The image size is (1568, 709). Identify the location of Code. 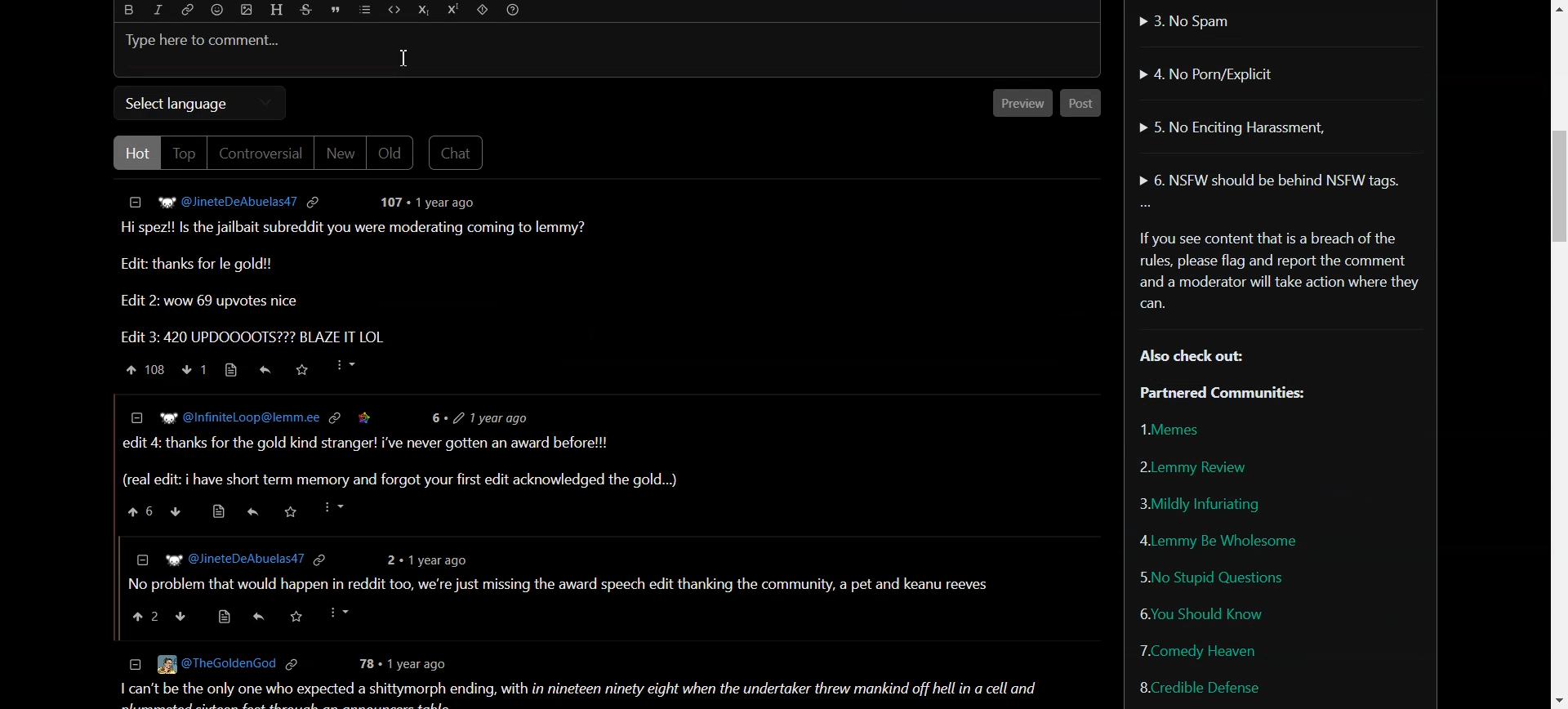
(395, 10).